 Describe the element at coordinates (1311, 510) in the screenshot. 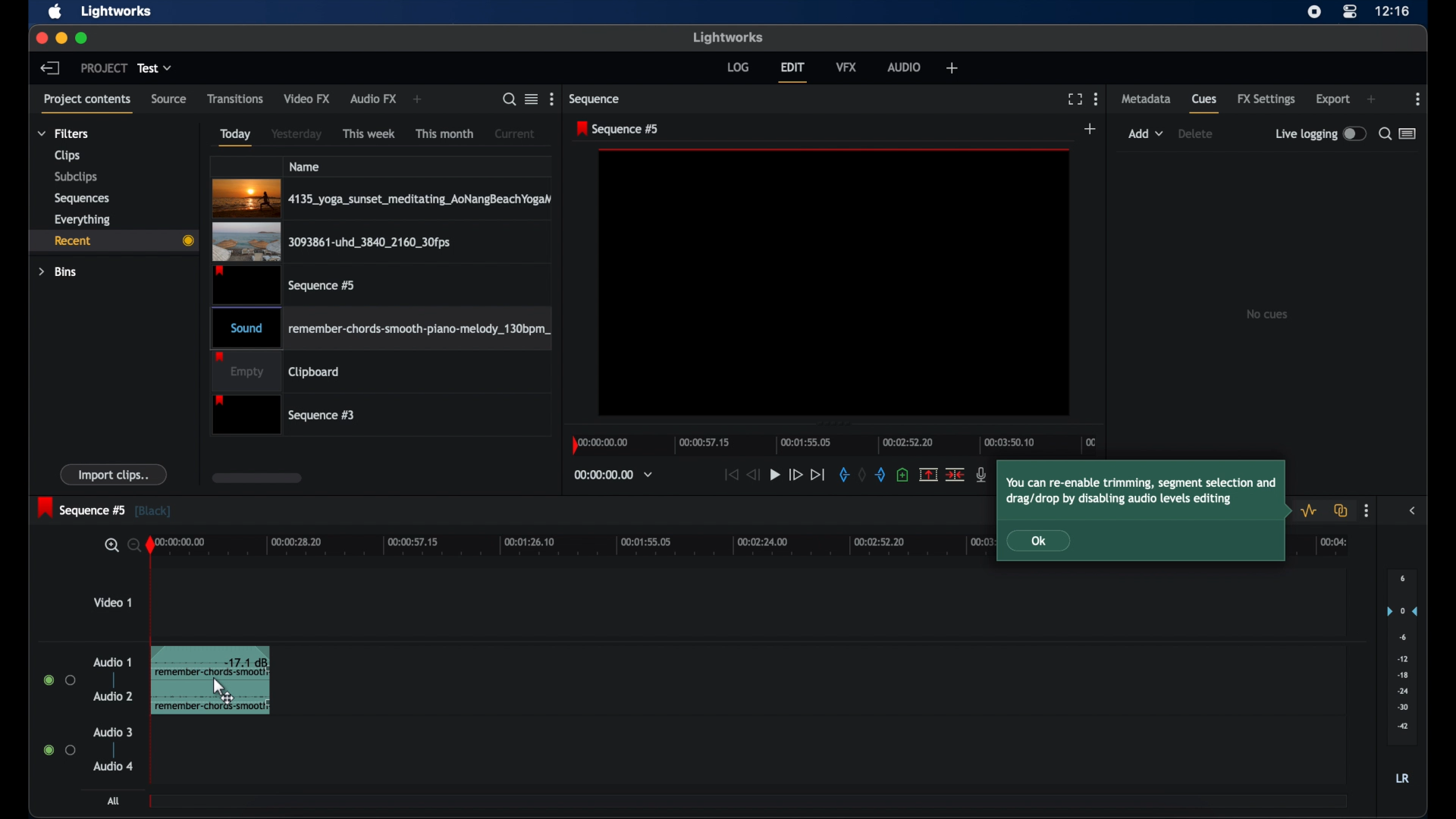

I see `toggle audio levels editing` at that location.